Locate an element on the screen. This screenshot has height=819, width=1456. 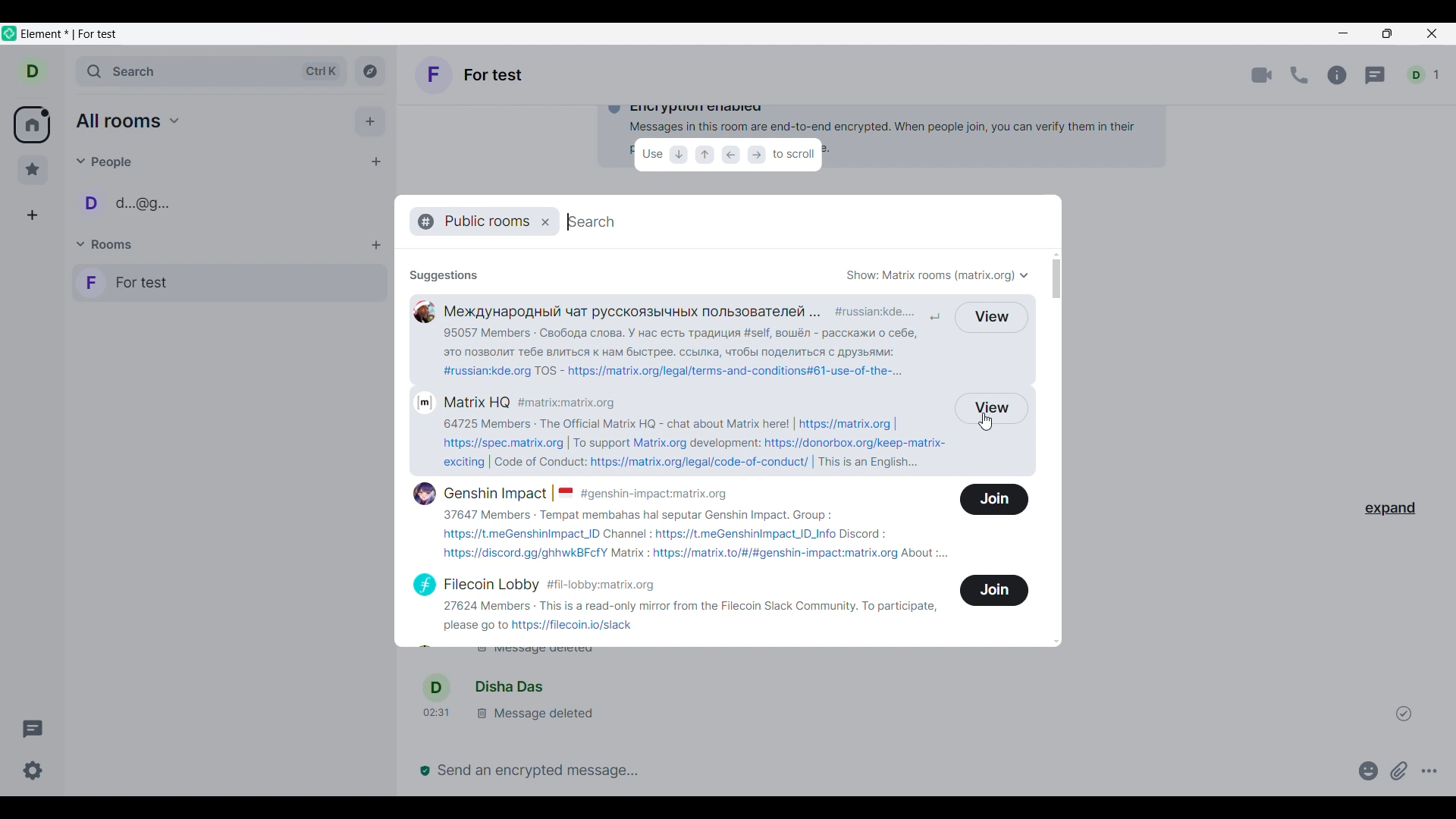
For test is located at coordinates (228, 282).